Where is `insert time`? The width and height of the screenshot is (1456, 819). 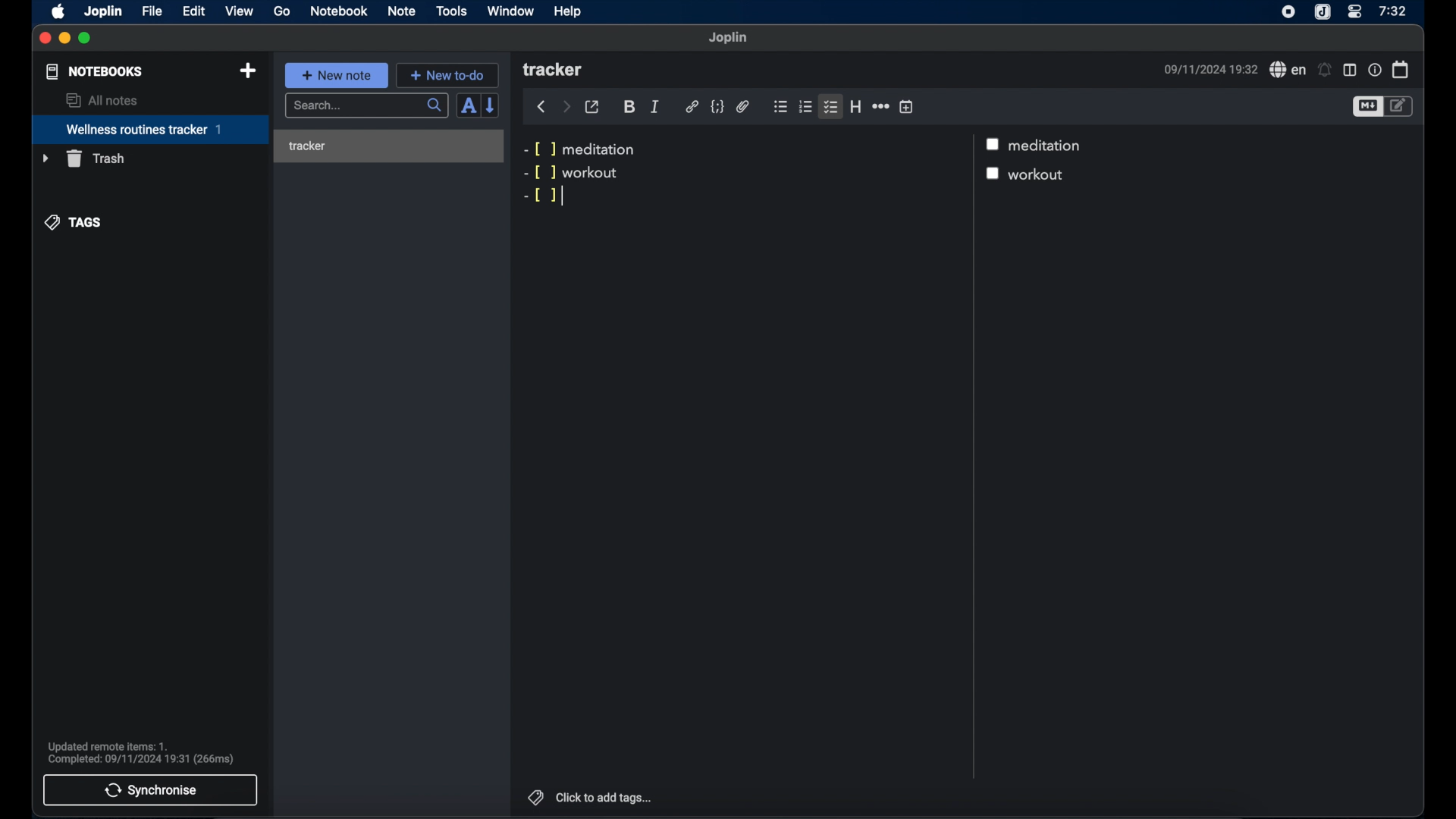 insert time is located at coordinates (906, 106).